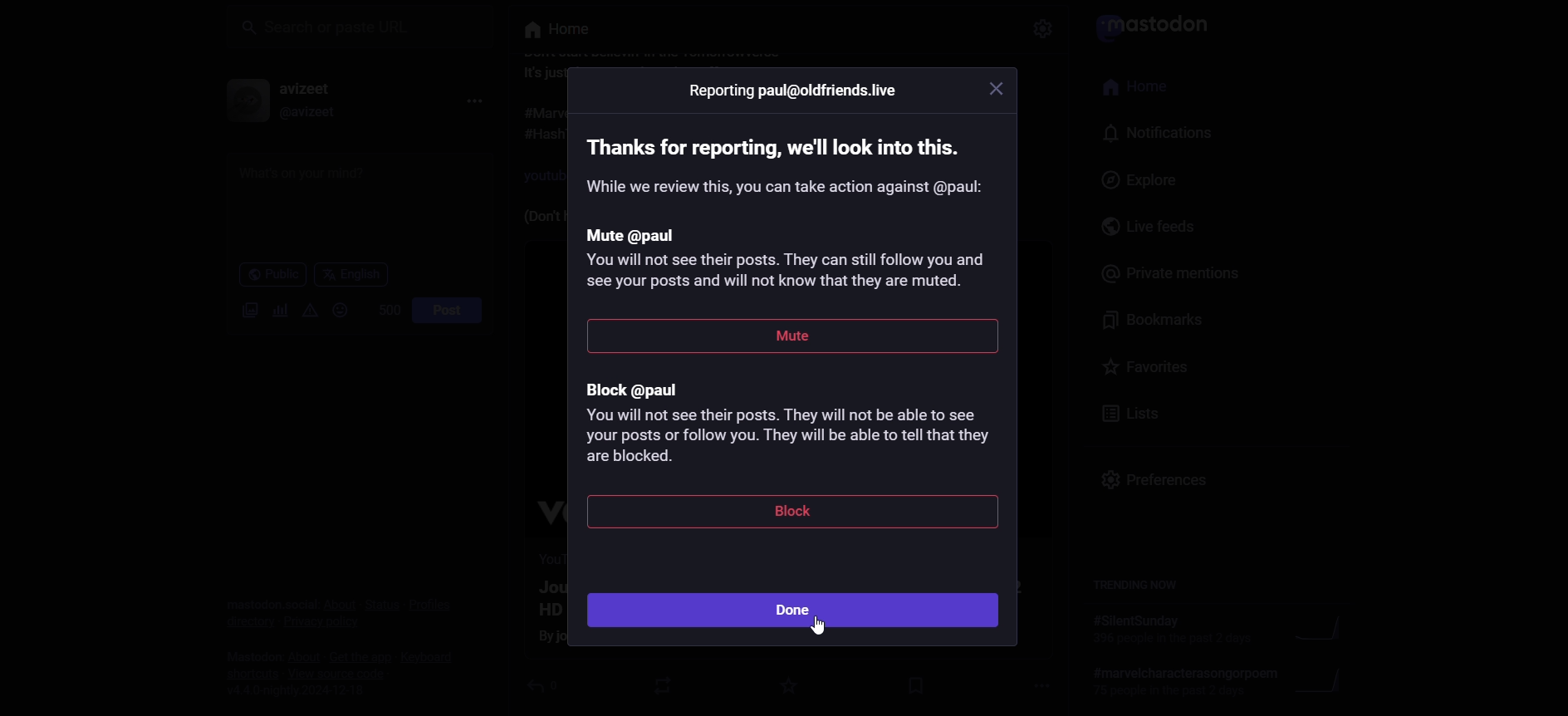 Image resolution: width=1568 pixels, height=716 pixels. Describe the element at coordinates (1154, 228) in the screenshot. I see `live feeds` at that location.